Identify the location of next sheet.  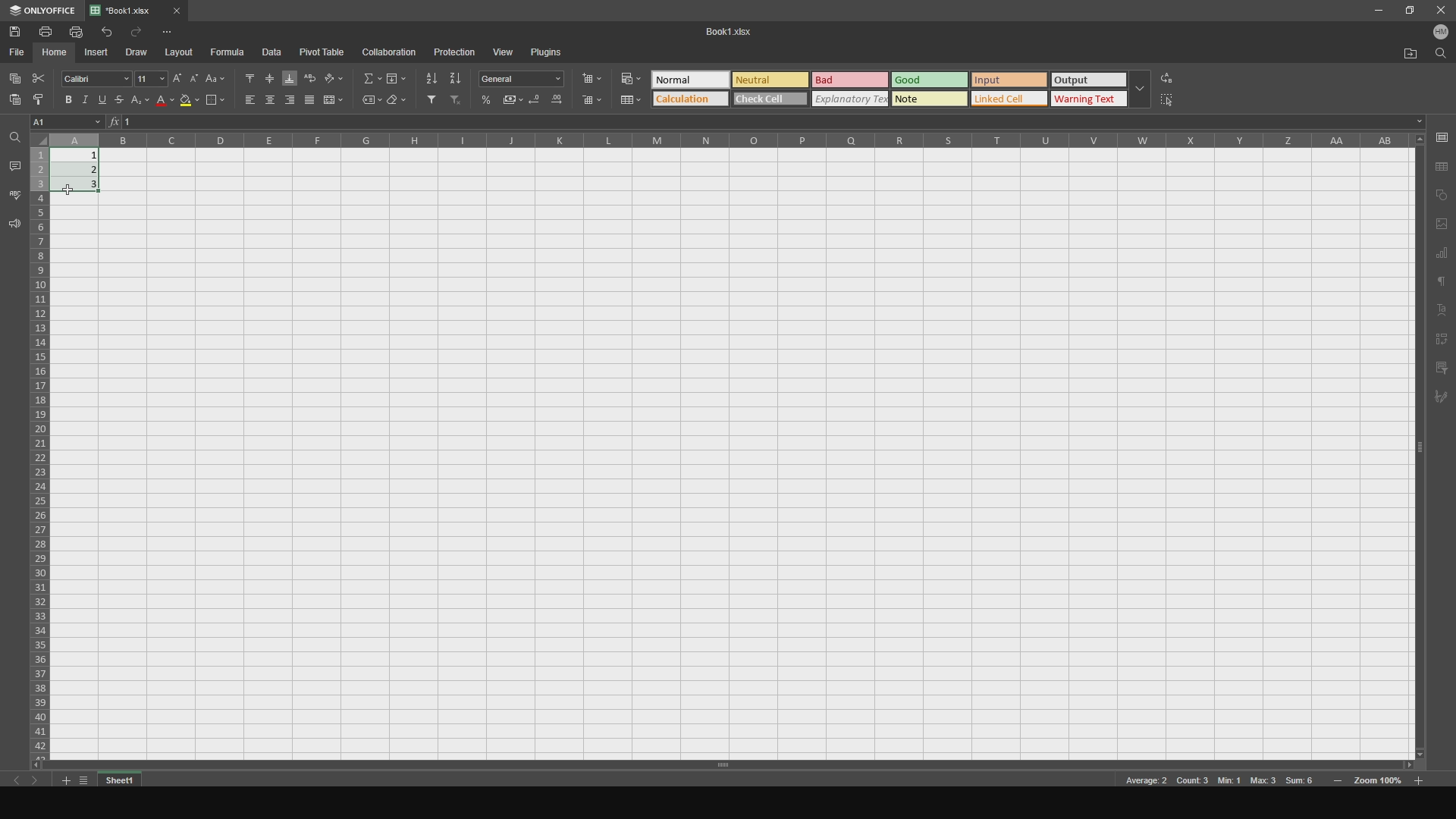
(42, 783).